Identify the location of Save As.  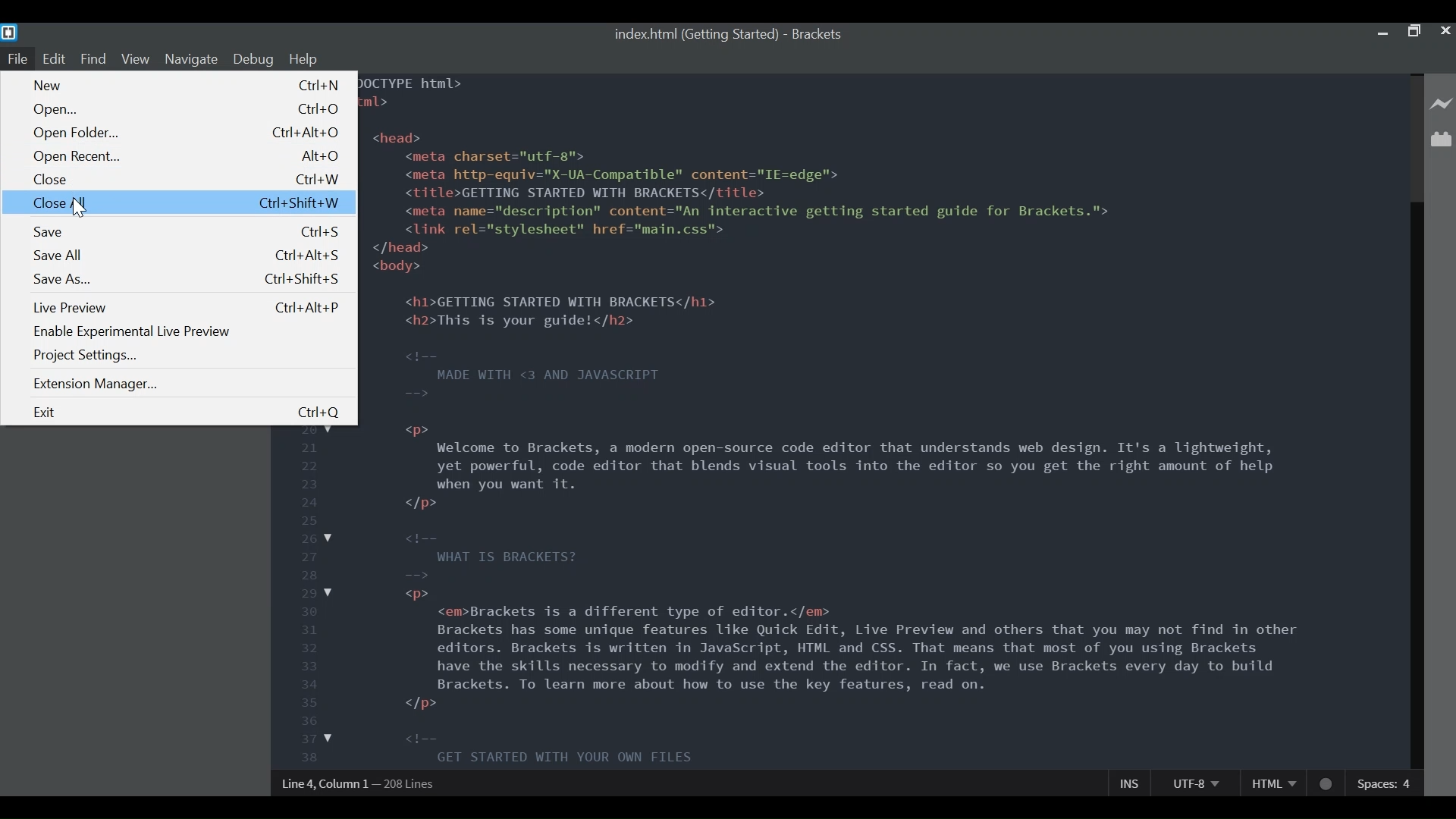
(185, 280).